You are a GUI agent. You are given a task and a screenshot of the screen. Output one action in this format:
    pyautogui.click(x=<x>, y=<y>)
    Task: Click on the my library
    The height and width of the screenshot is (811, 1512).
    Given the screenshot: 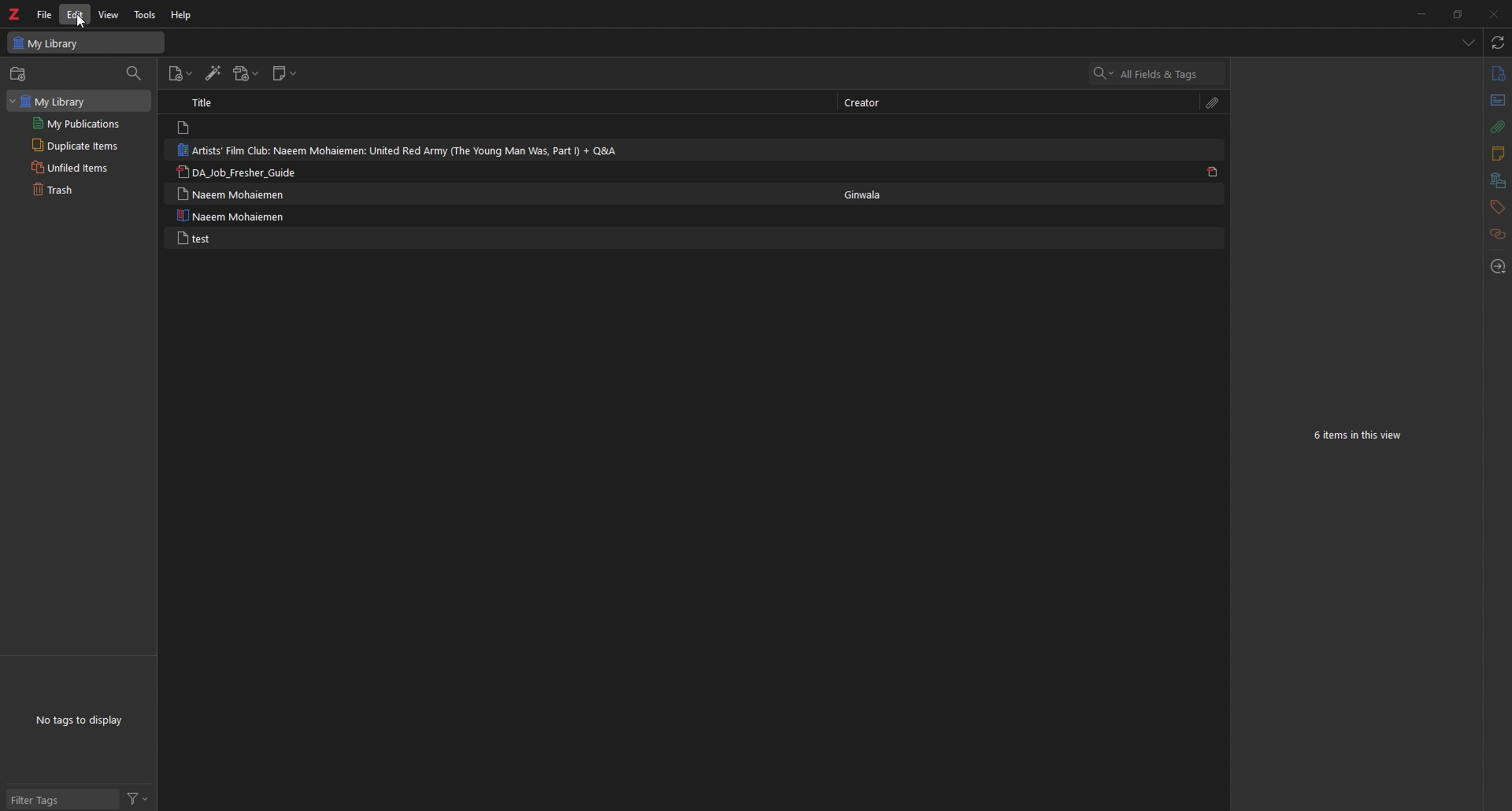 What is the action you would take?
    pyautogui.click(x=79, y=100)
    